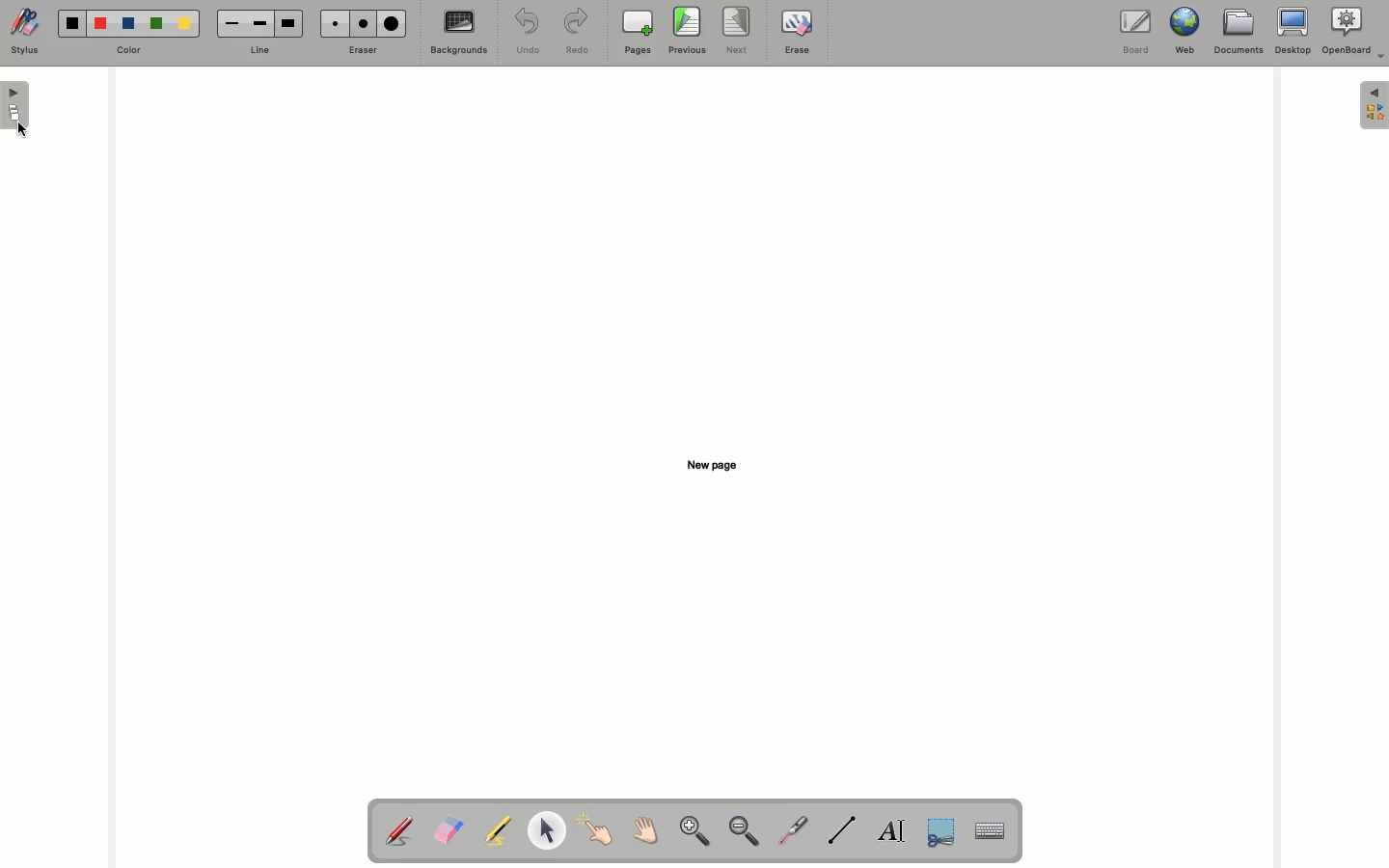 The image size is (1389, 868). Describe the element at coordinates (529, 31) in the screenshot. I see `Undo` at that location.